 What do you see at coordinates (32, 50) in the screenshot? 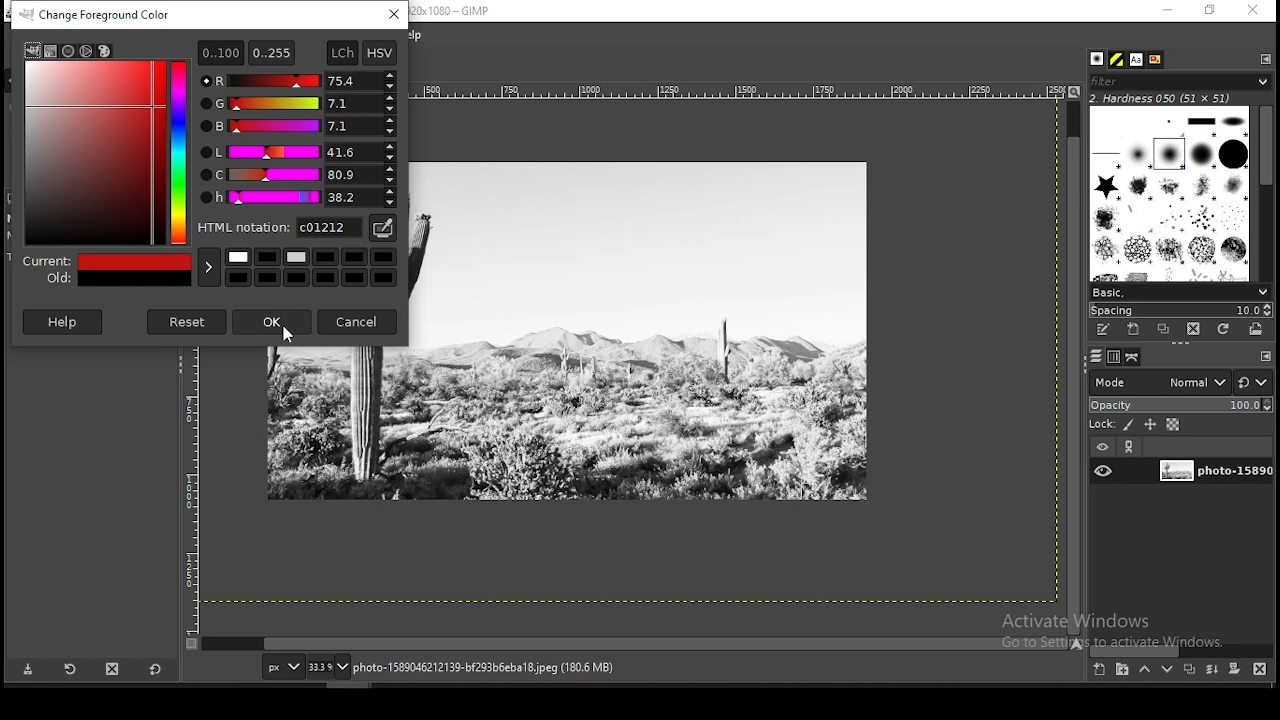
I see `gimp` at bounding box center [32, 50].